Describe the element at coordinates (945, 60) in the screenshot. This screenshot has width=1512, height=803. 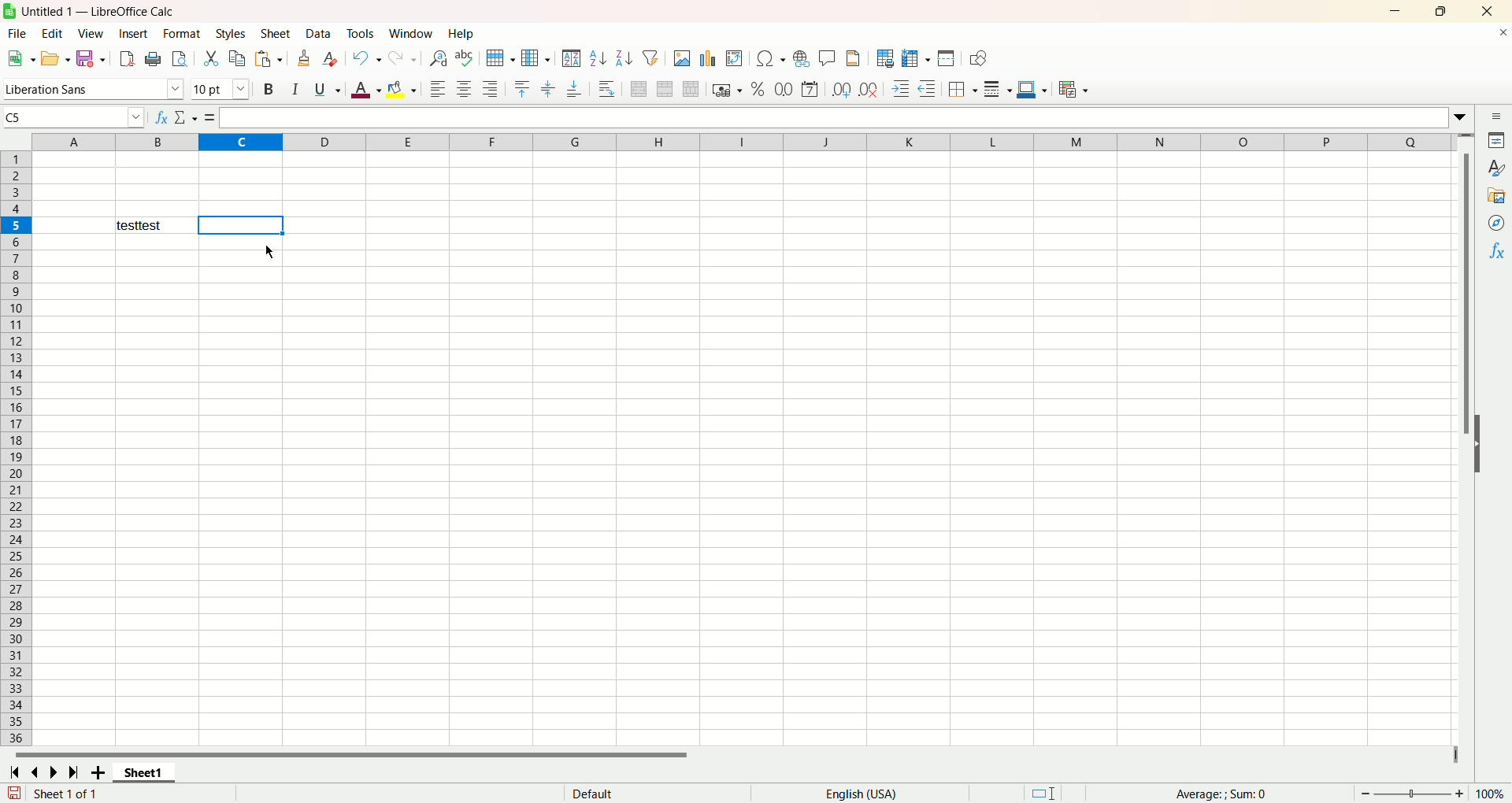
I see `split window` at that location.